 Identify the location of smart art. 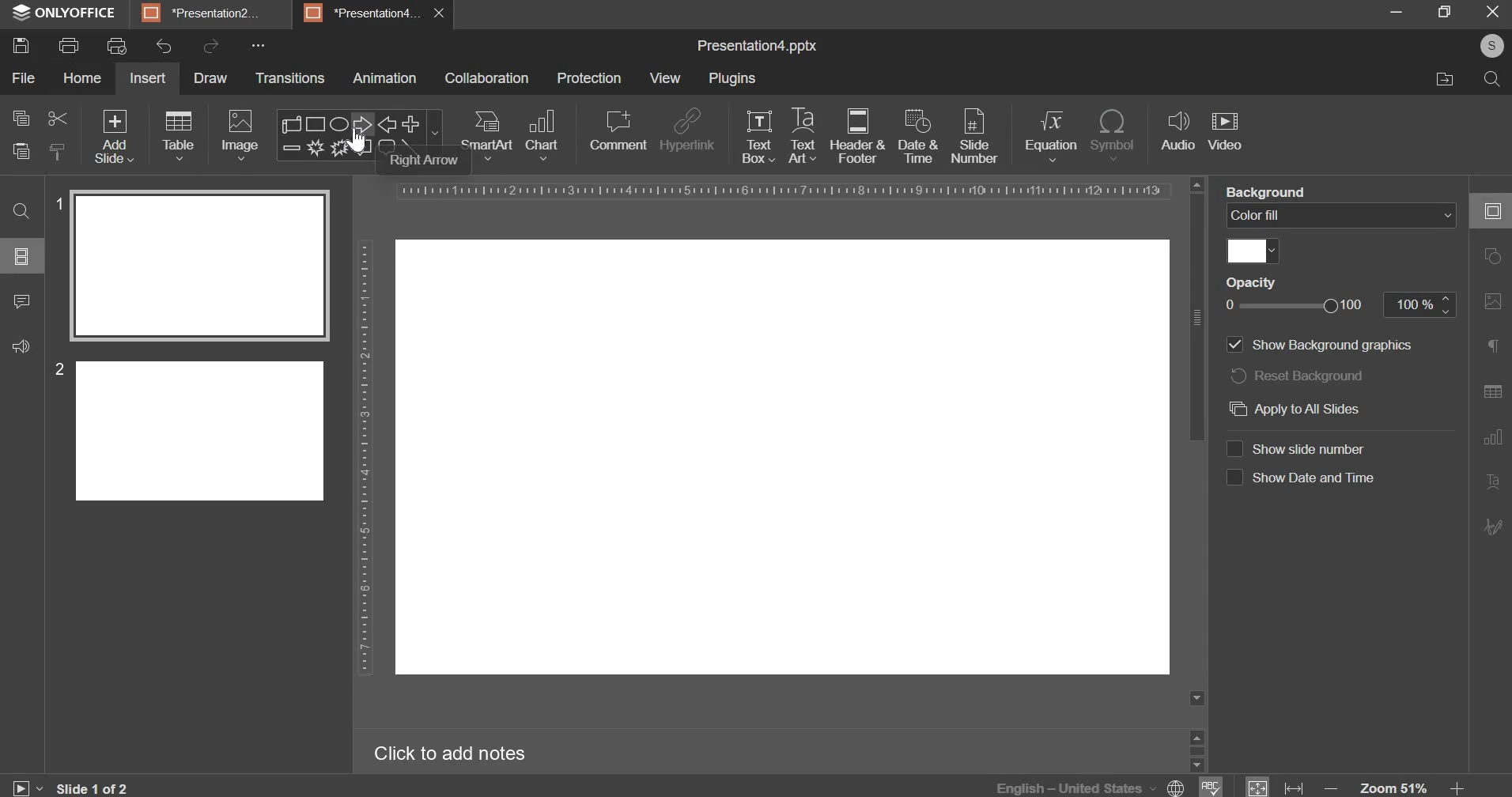
(488, 136).